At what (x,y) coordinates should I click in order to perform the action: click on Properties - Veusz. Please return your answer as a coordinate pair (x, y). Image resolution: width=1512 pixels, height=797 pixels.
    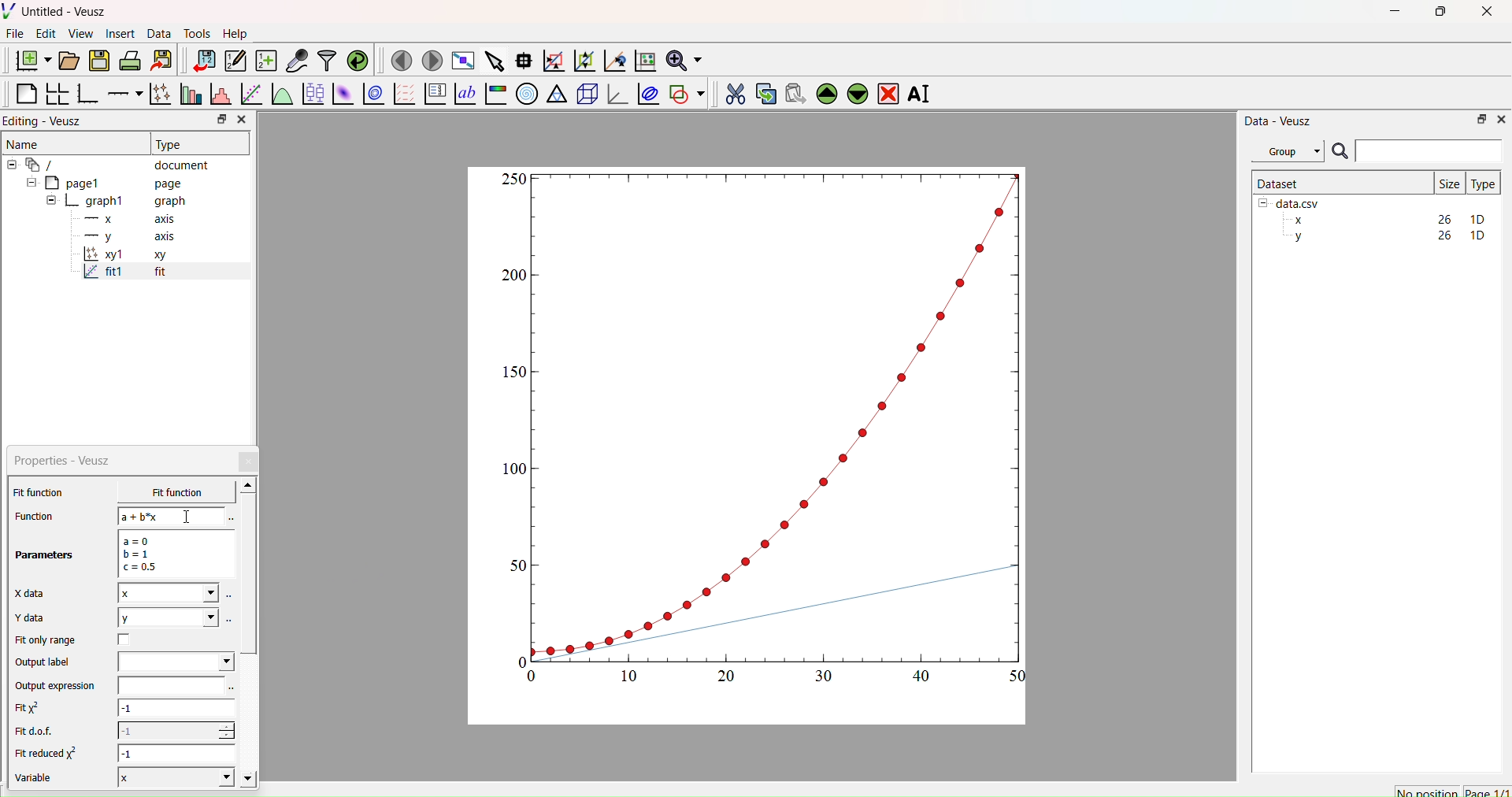
    Looking at the image, I should click on (66, 461).